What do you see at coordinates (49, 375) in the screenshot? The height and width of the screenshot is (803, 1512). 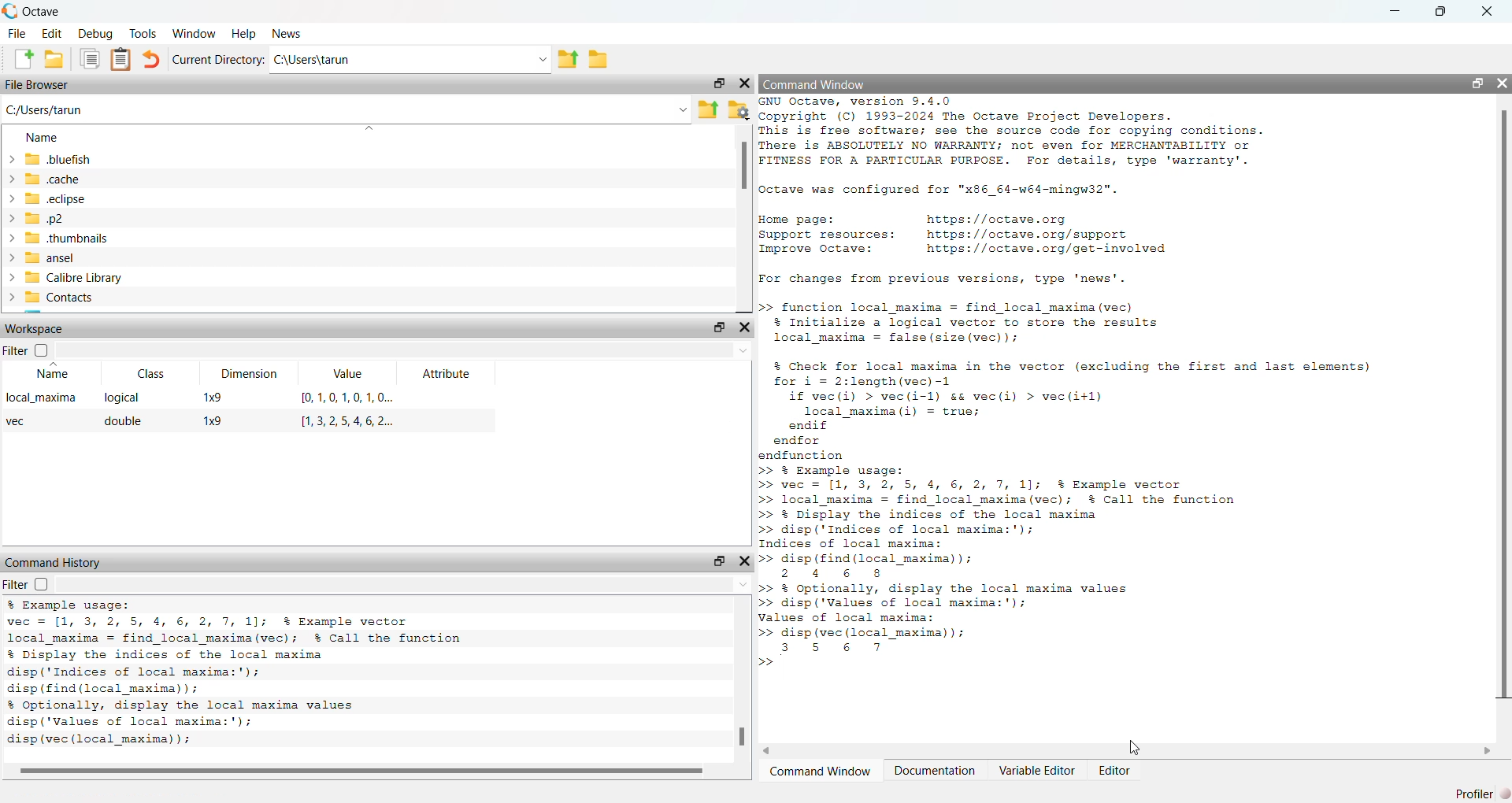 I see `Name` at bounding box center [49, 375].